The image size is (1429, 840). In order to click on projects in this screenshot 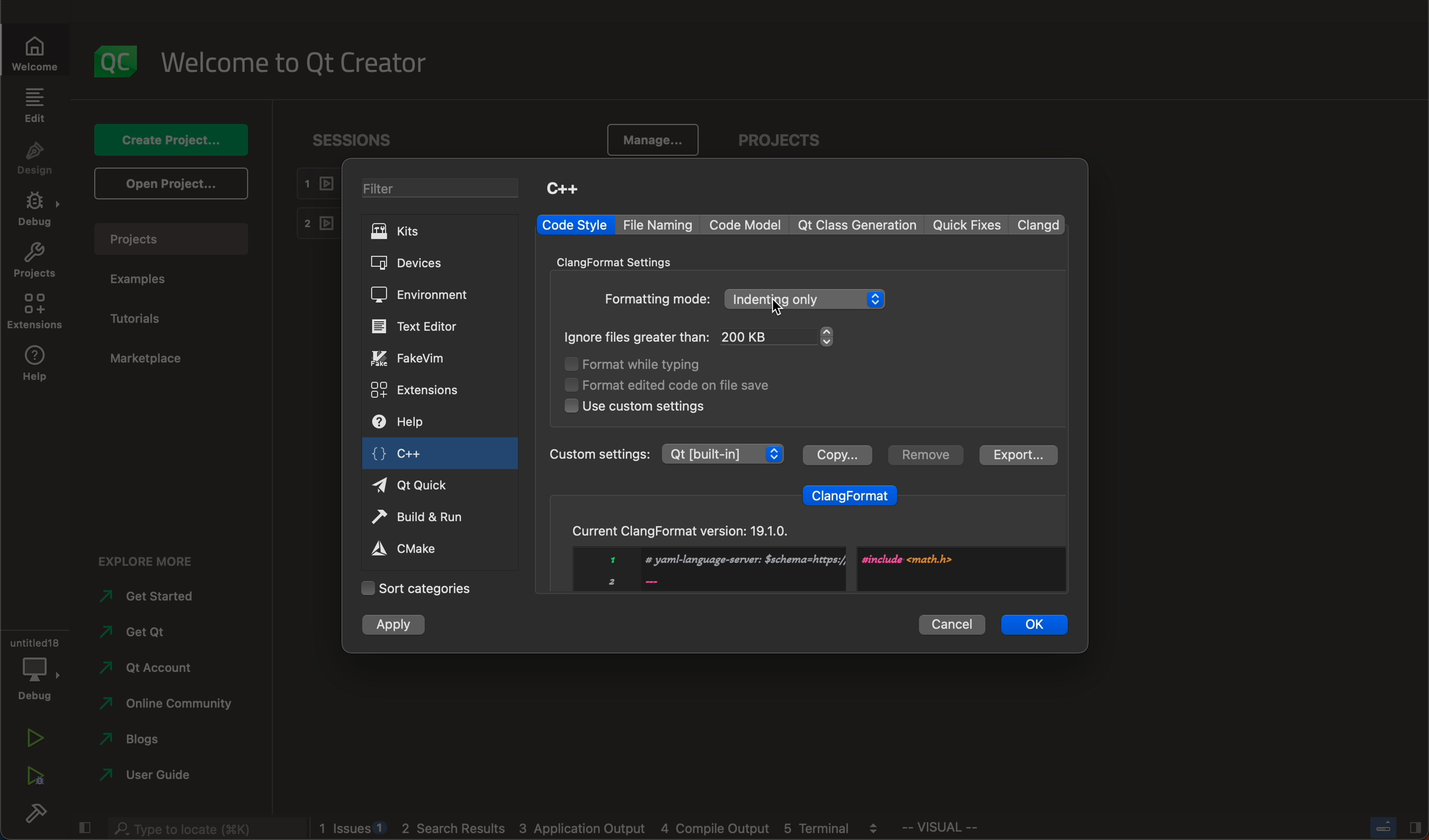, I will do `click(785, 142)`.